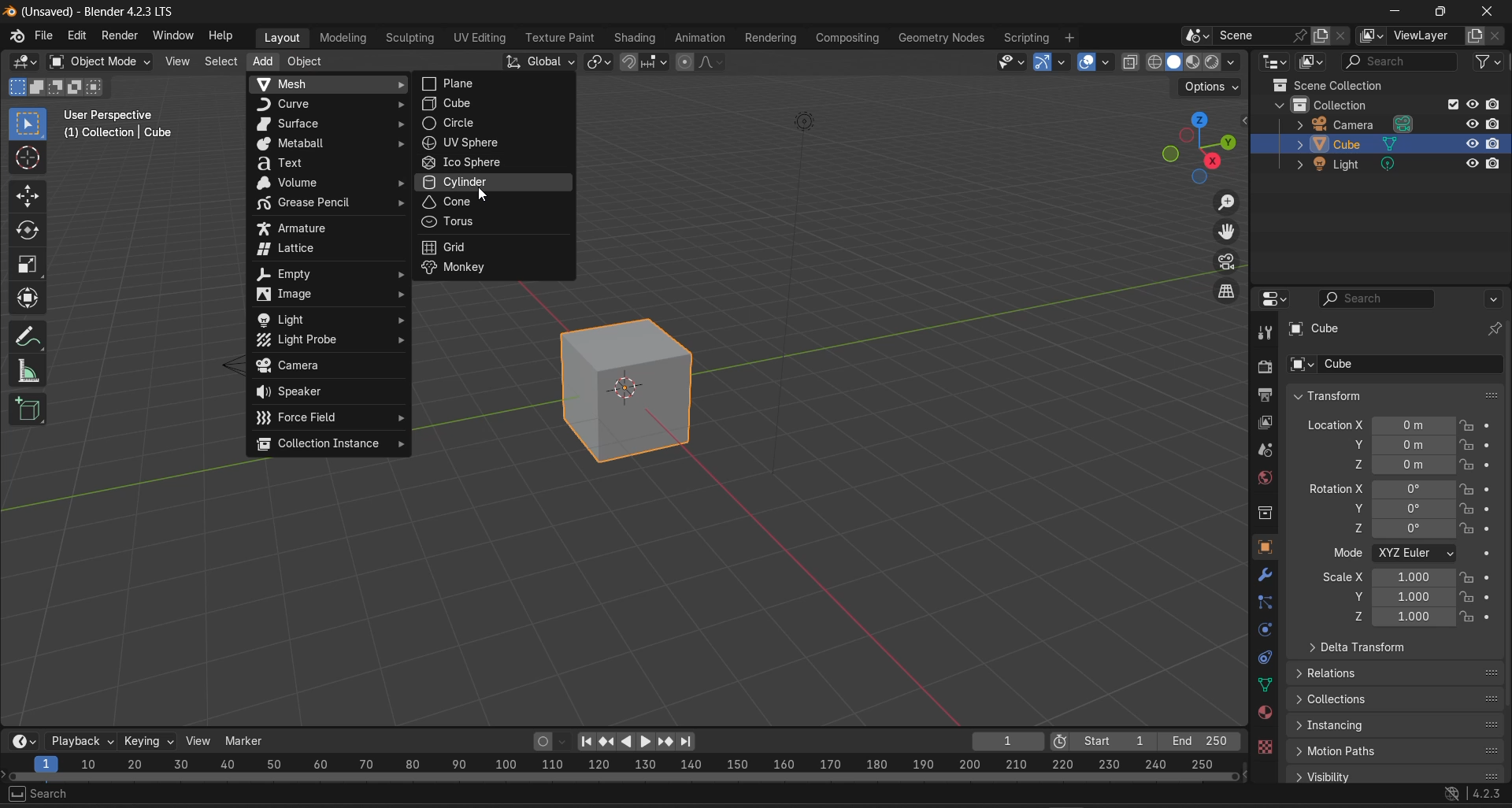  Describe the element at coordinates (1265, 658) in the screenshot. I see `constraint` at that location.